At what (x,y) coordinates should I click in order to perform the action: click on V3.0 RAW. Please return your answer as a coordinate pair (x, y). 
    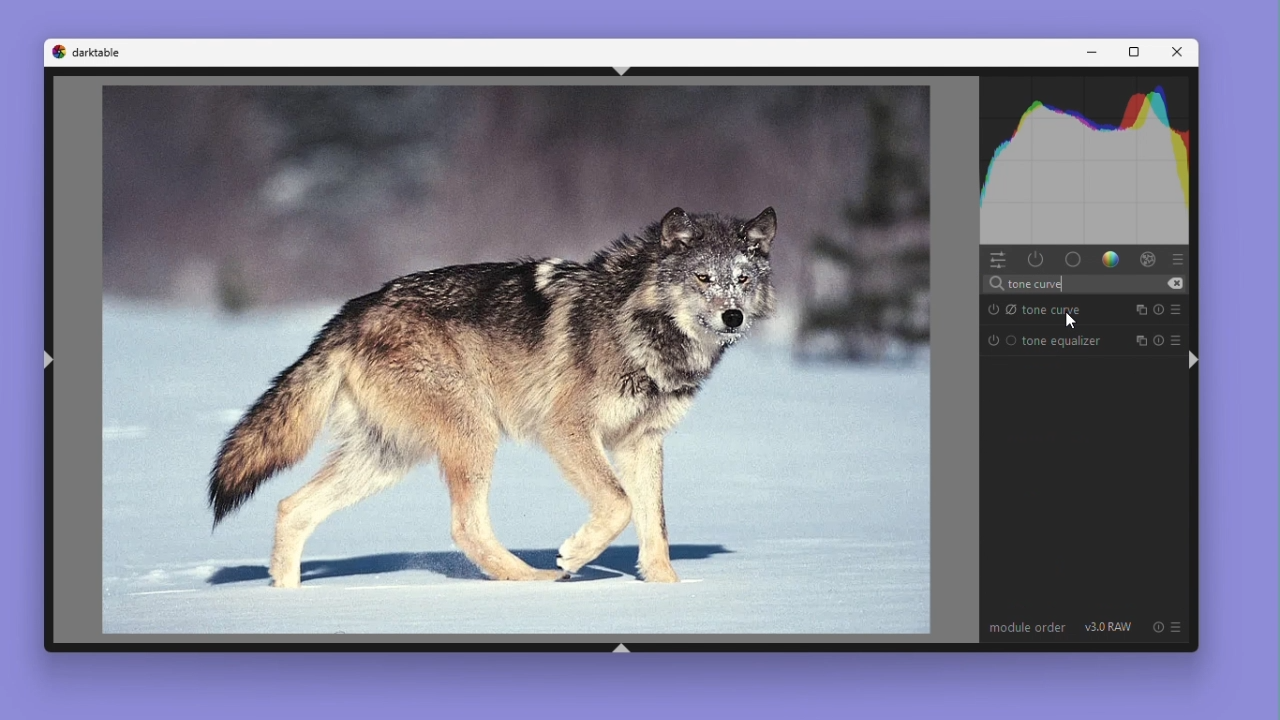
    Looking at the image, I should click on (1108, 628).